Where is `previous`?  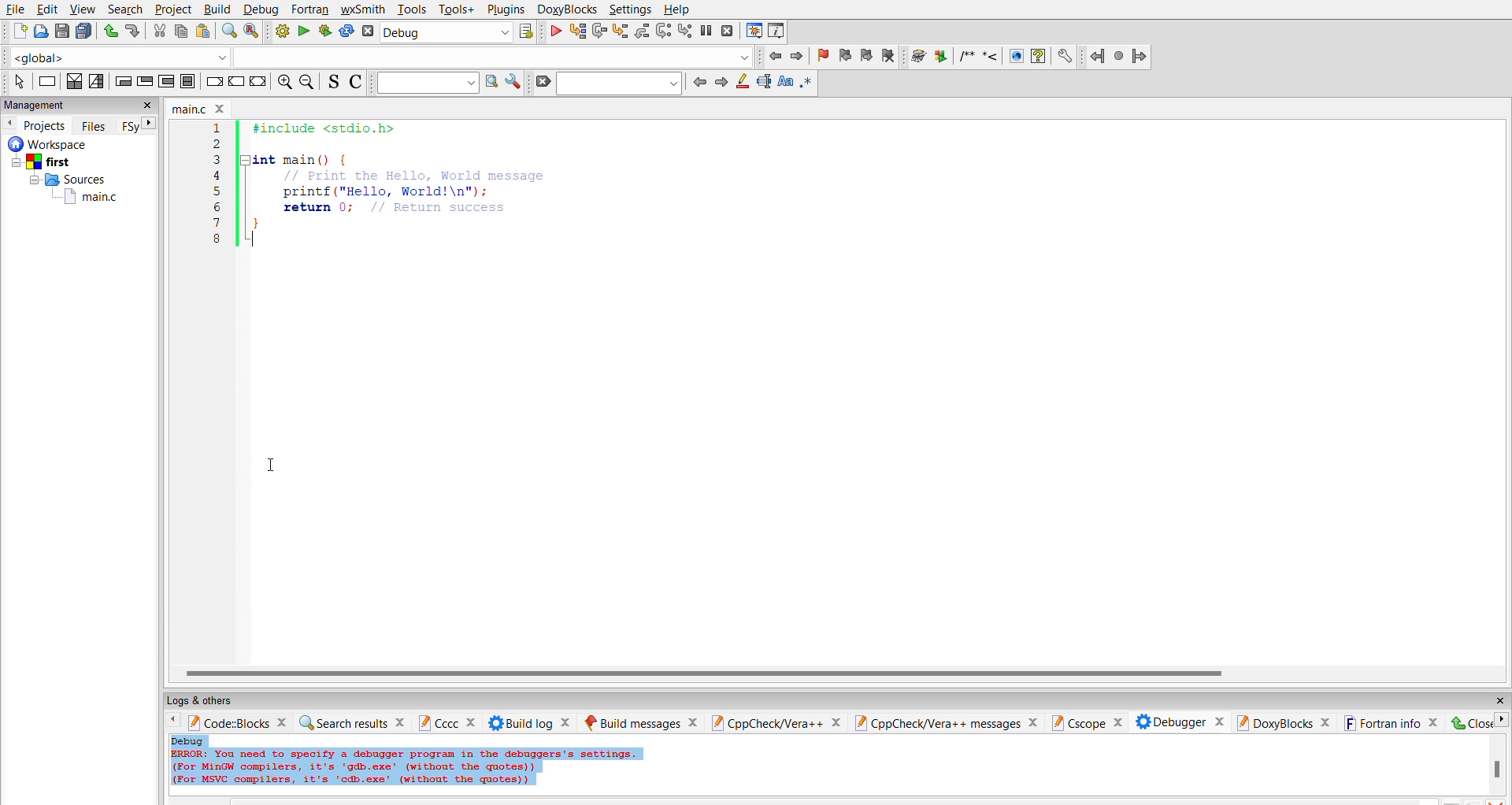
previous is located at coordinates (9, 124).